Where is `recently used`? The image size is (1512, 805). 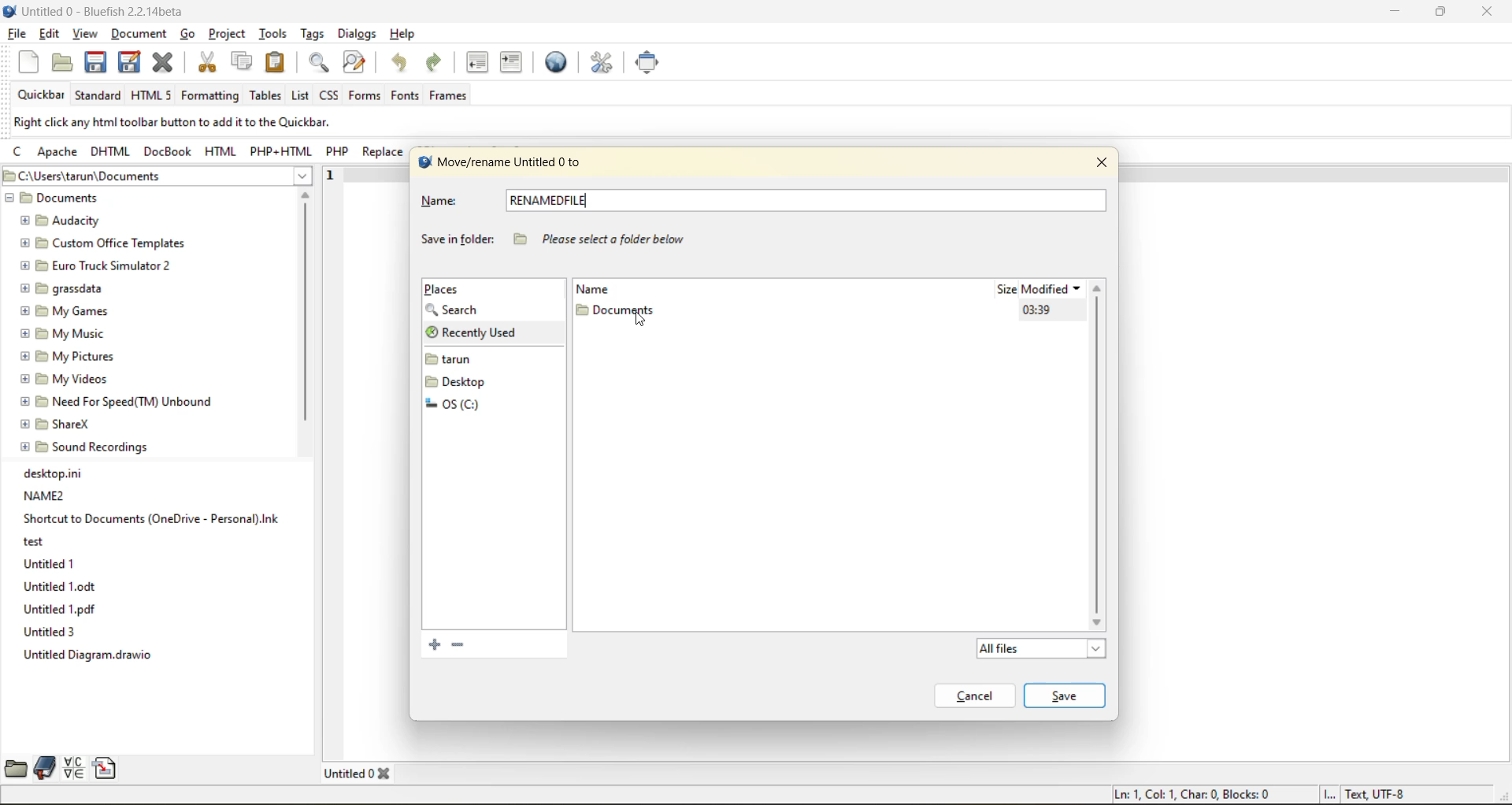
recently used is located at coordinates (479, 332).